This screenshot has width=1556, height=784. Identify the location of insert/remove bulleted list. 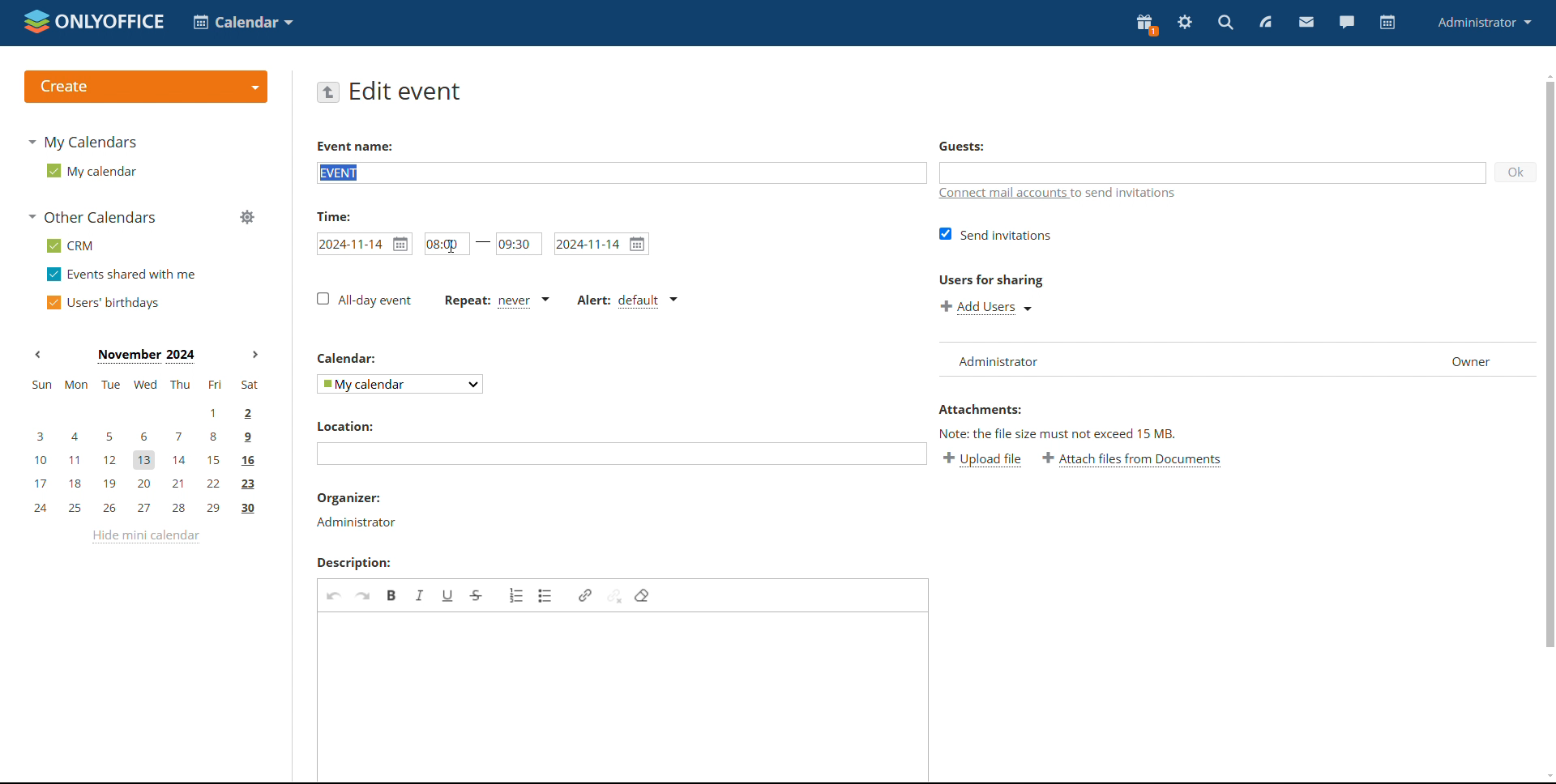
(546, 596).